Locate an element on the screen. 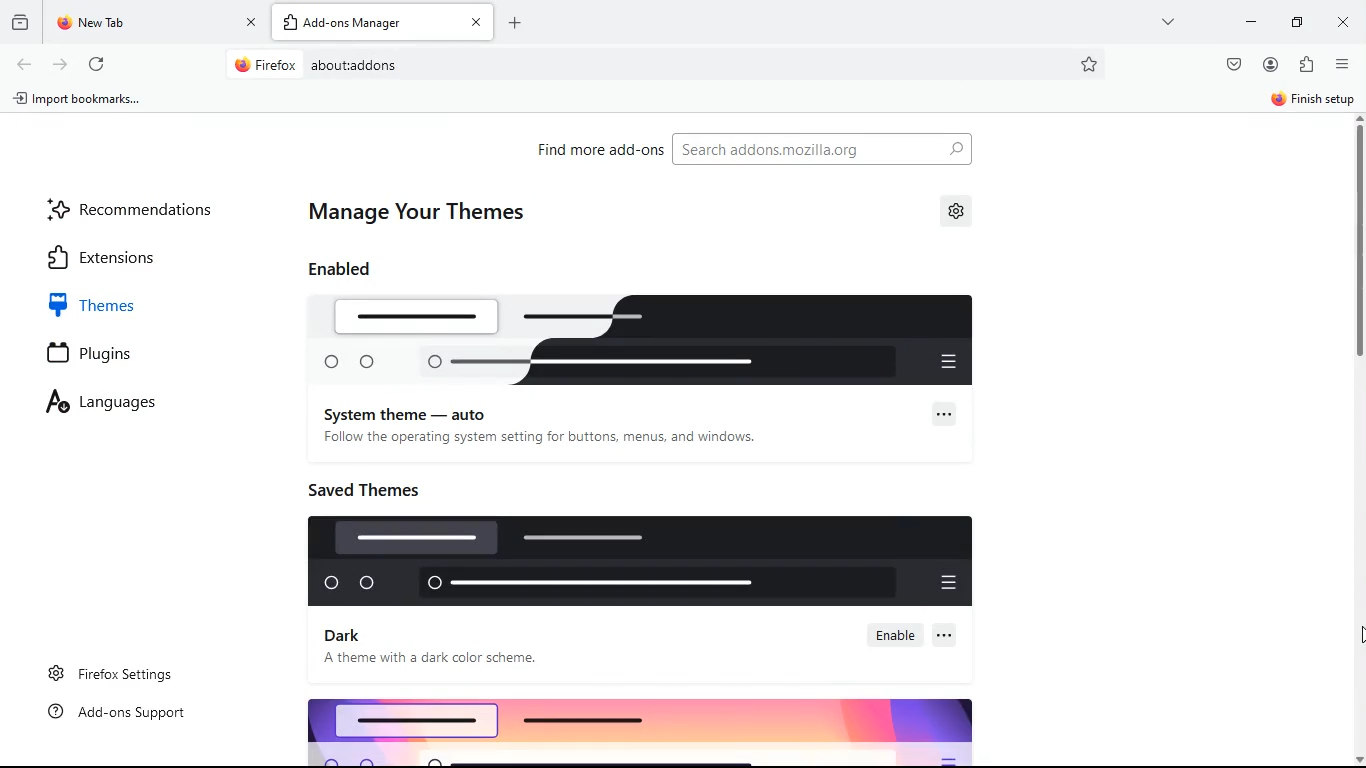  history is located at coordinates (20, 22).